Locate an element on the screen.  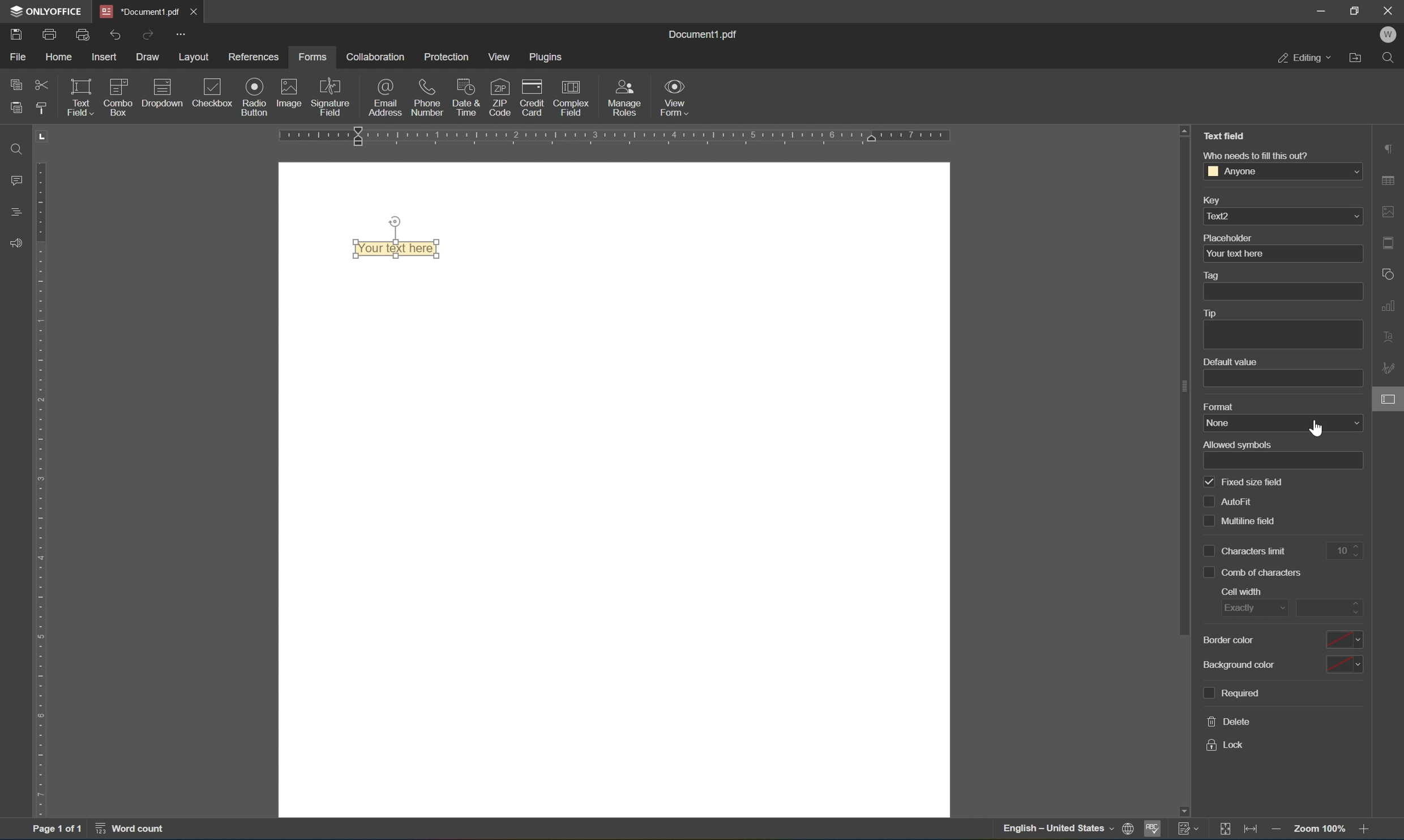
anyone is located at coordinates (1281, 171).